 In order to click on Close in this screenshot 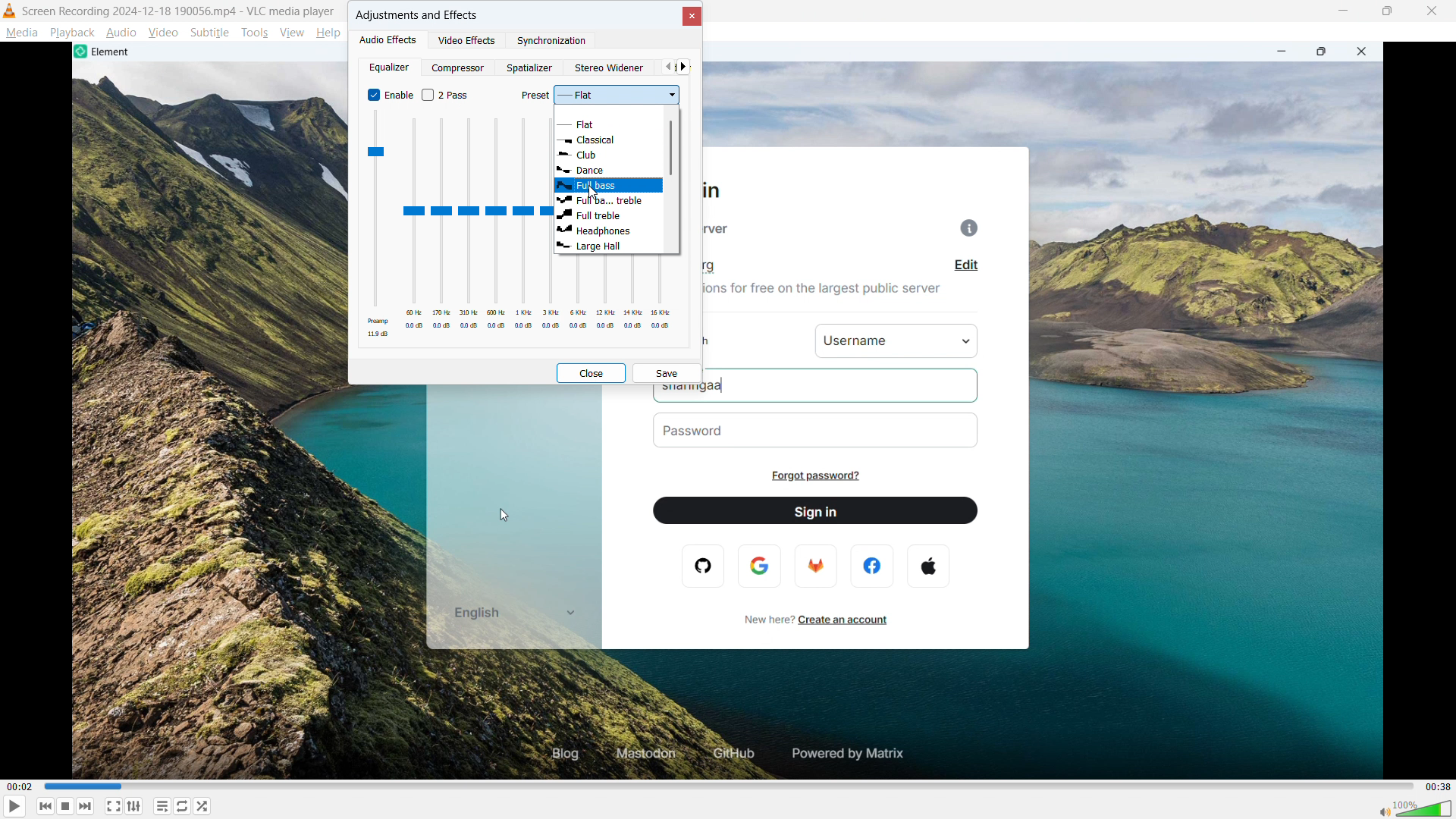, I will do `click(590, 372)`.